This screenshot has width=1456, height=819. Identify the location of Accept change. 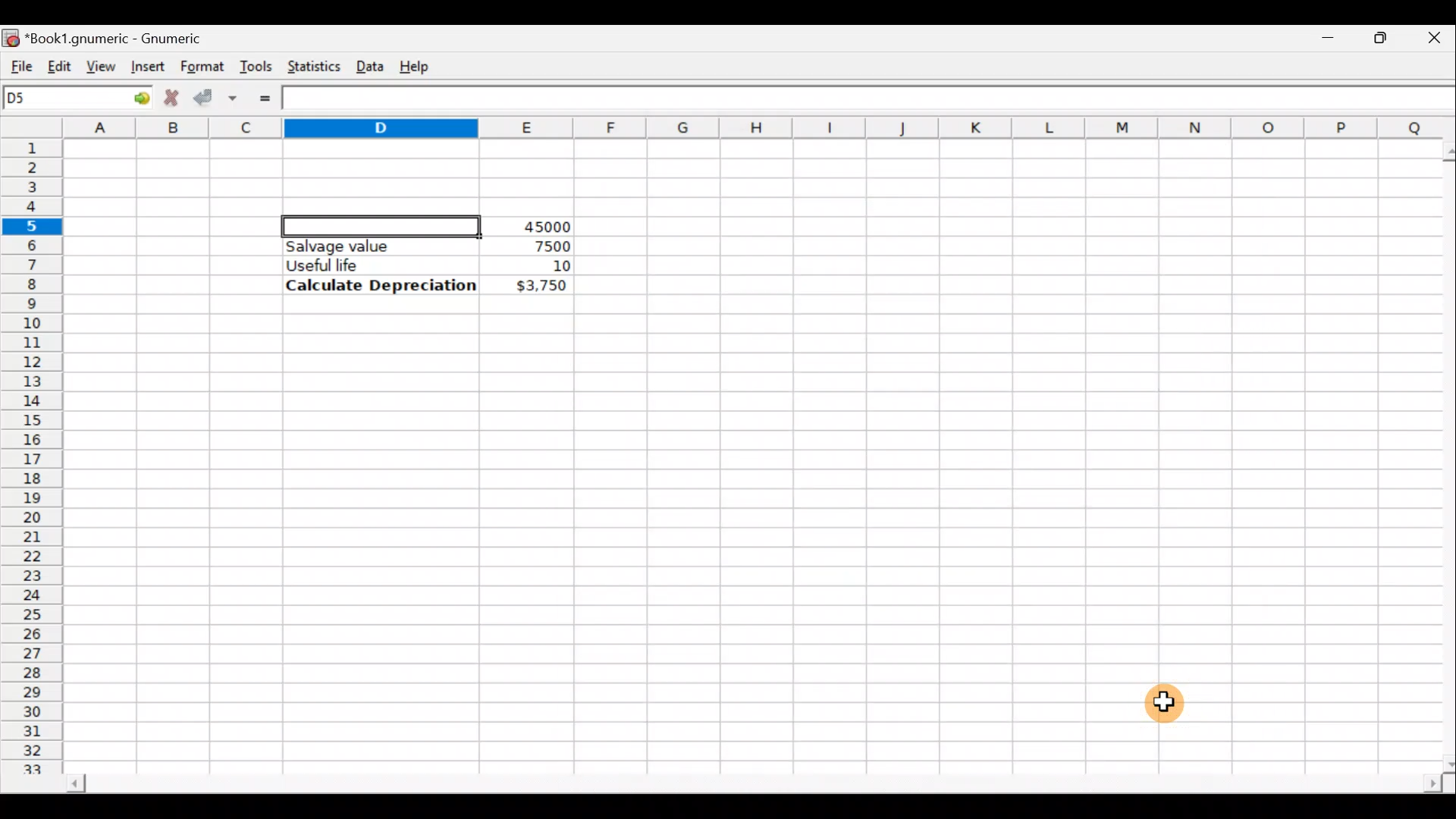
(215, 96).